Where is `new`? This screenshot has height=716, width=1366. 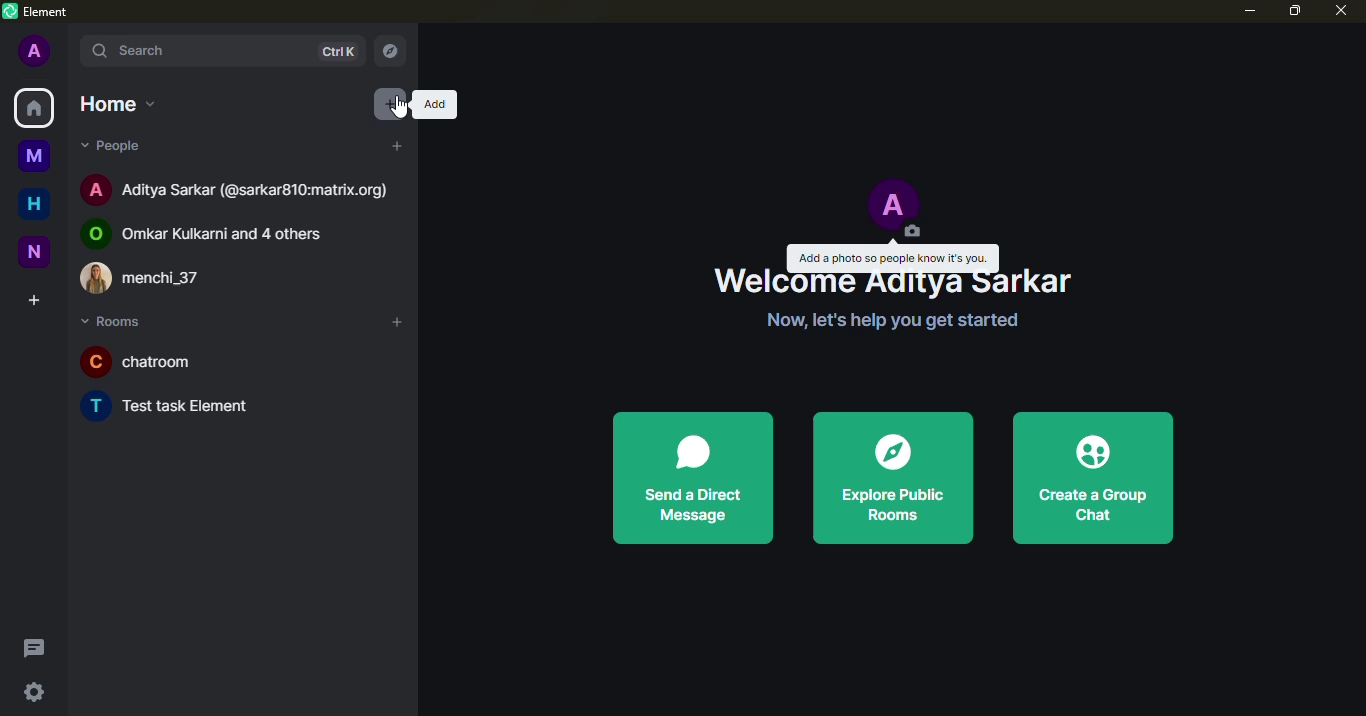
new is located at coordinates (35, 251).